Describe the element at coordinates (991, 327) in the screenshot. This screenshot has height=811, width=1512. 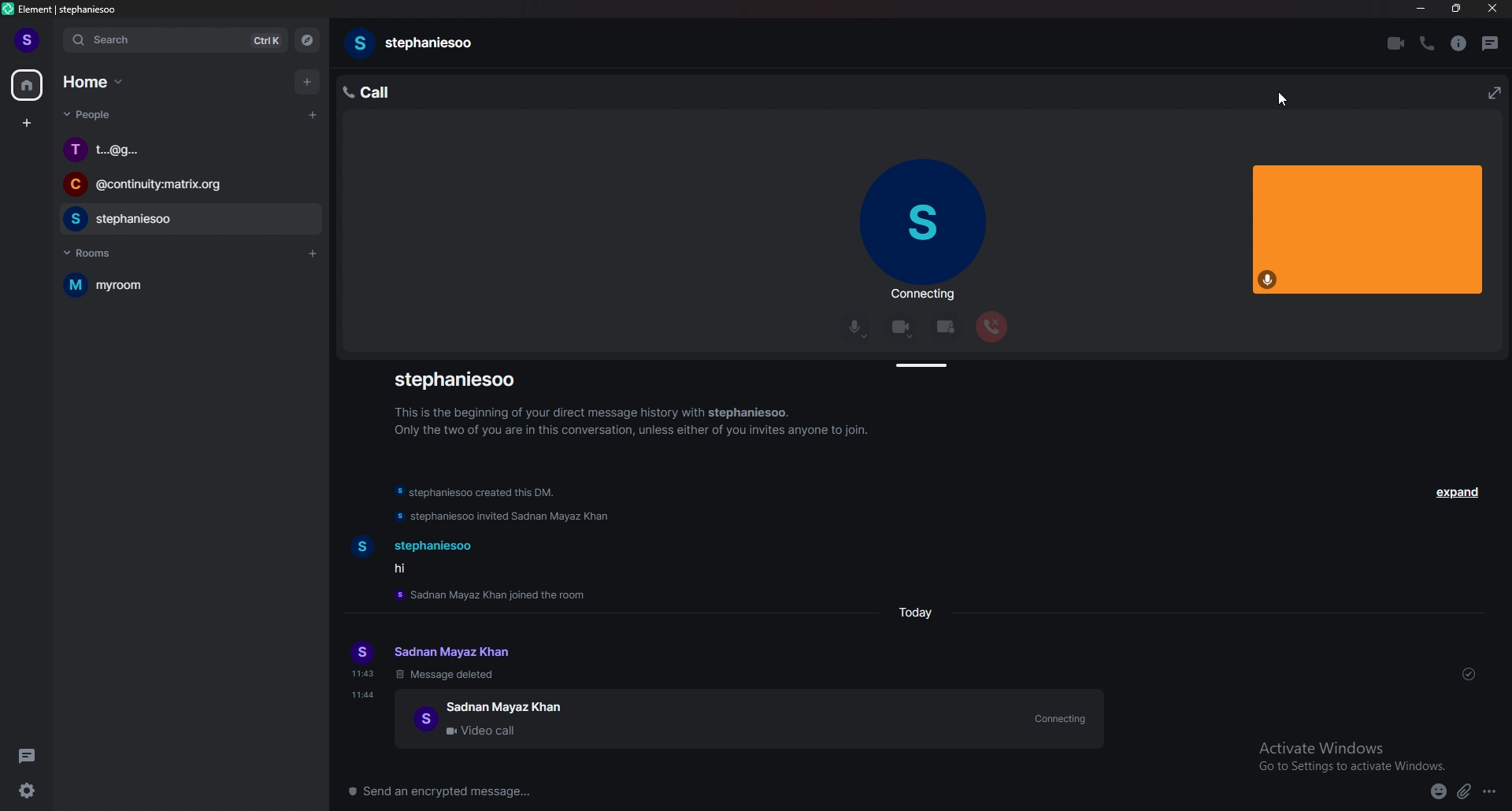
I see `cut call` at that location.